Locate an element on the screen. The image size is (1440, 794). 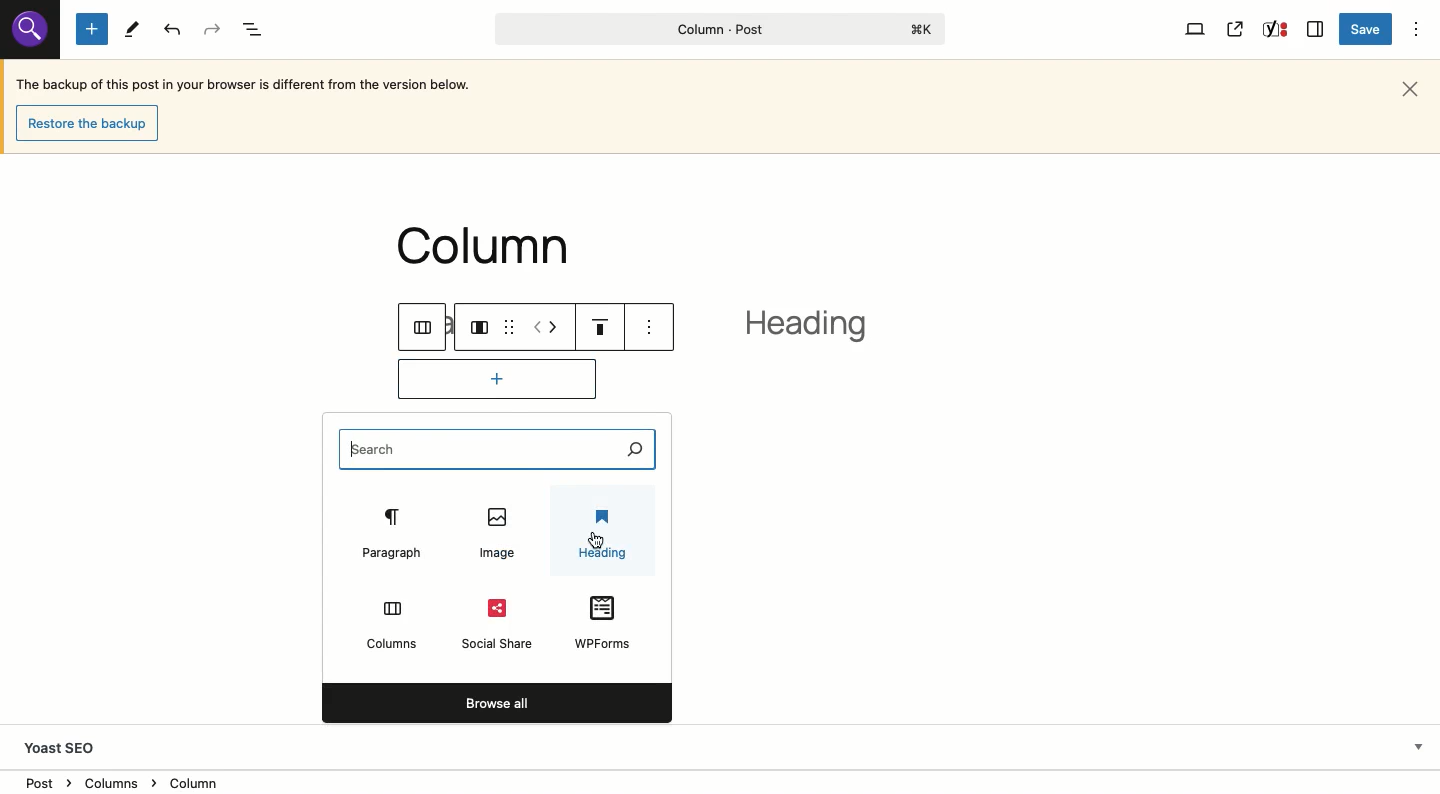
Add new block is located at coordinates (92, 30).